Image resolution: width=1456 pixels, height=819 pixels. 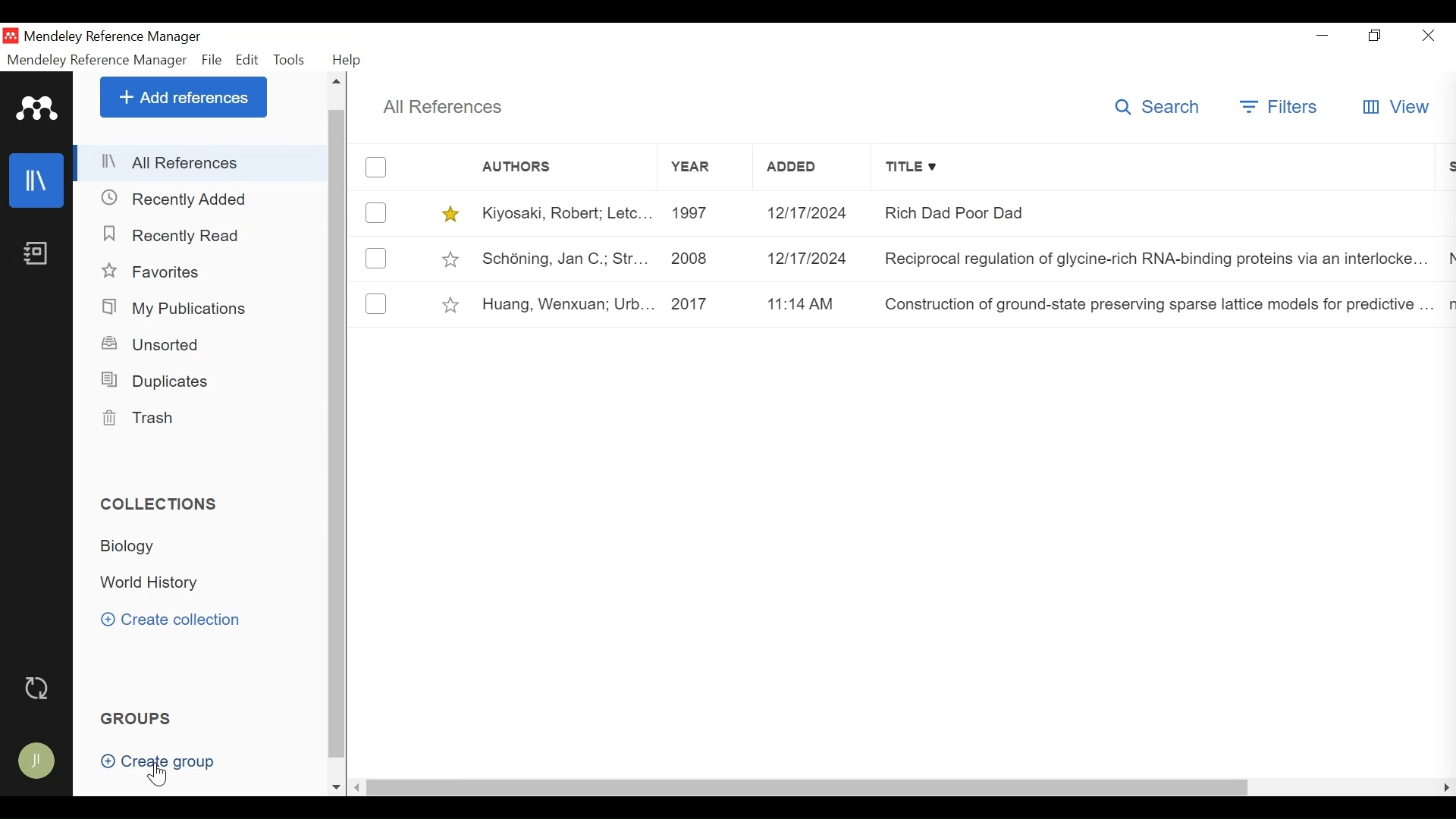 I want to click on 12/12/2024, so click(x=812, y=213).